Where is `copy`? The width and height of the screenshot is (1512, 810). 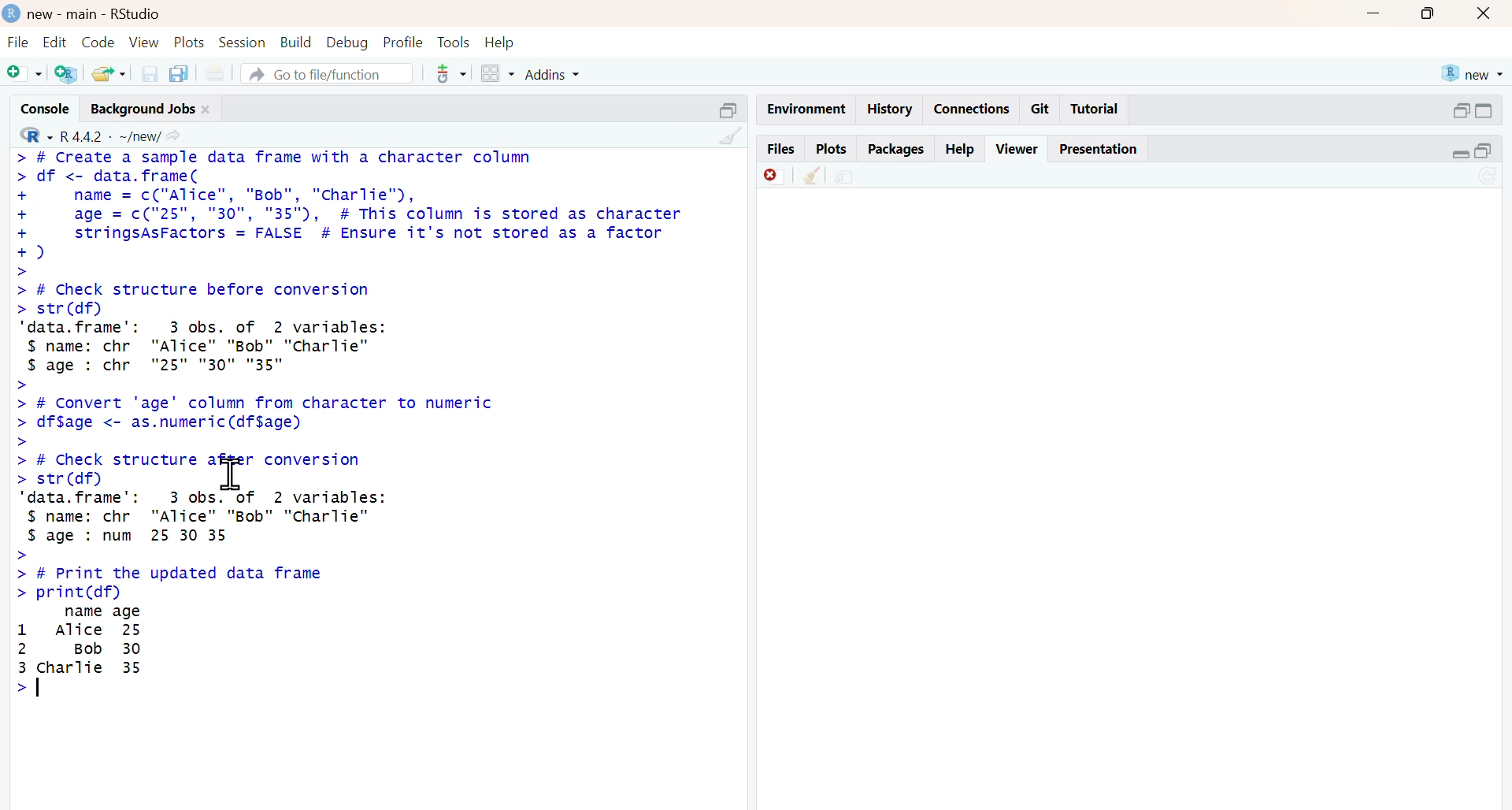 copy is located at coordinates (178, 74).